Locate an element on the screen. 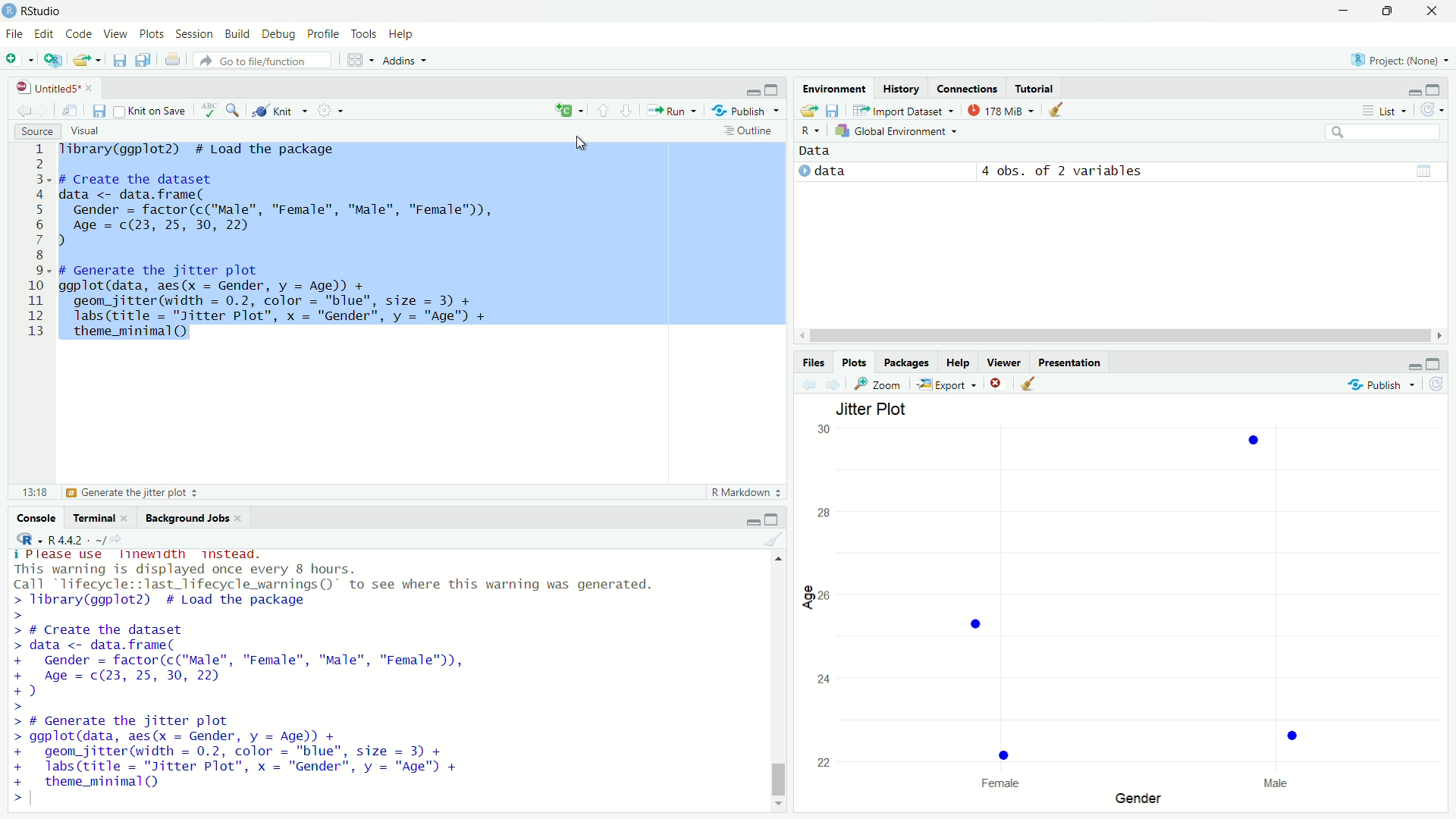 The width and height of the screenshot is (1456, 819). profile is located at coordinates (325, 33).